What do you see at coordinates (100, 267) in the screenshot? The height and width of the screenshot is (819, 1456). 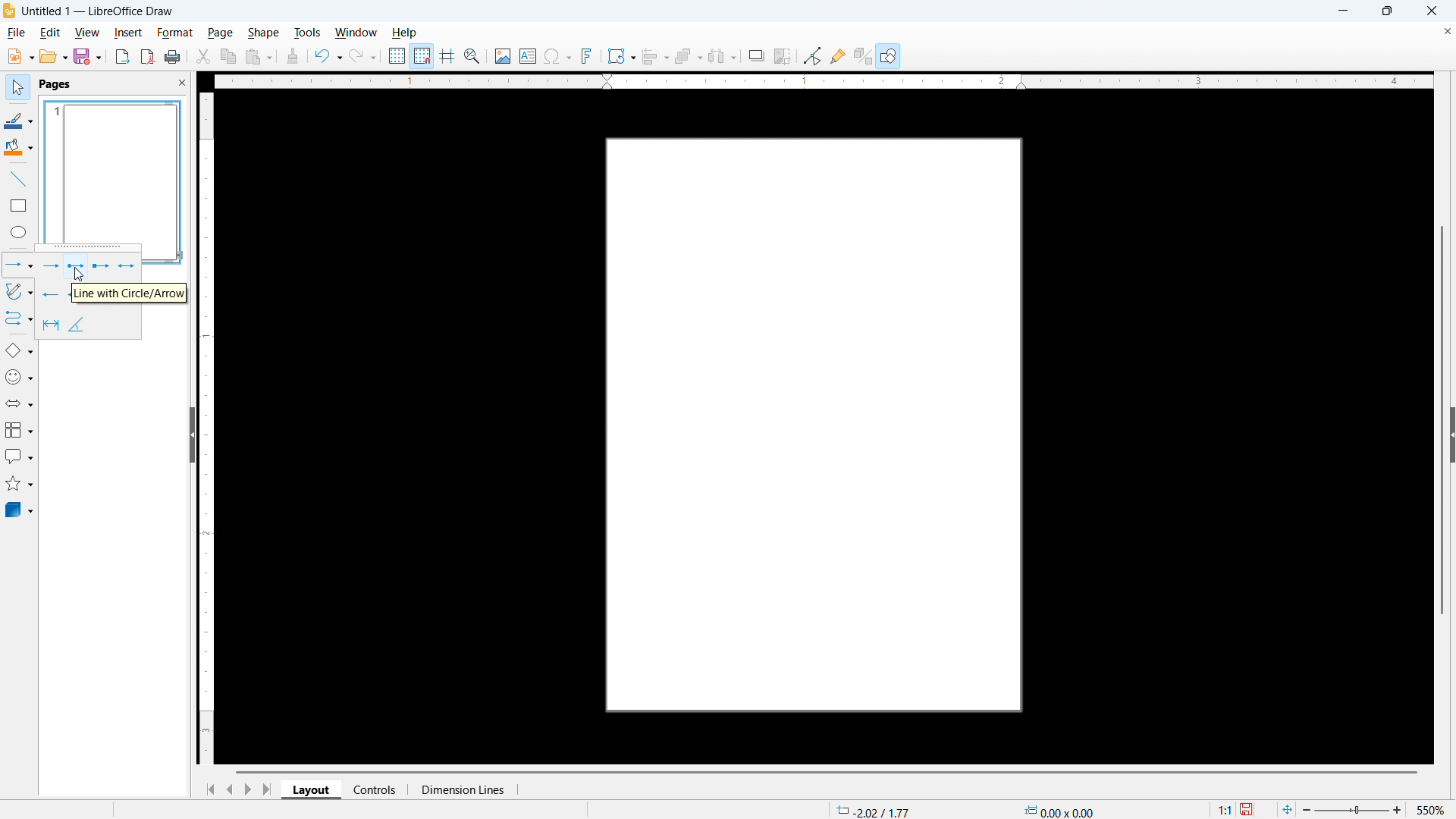 I see `Line with square end ` at bounding box center [100, 267].